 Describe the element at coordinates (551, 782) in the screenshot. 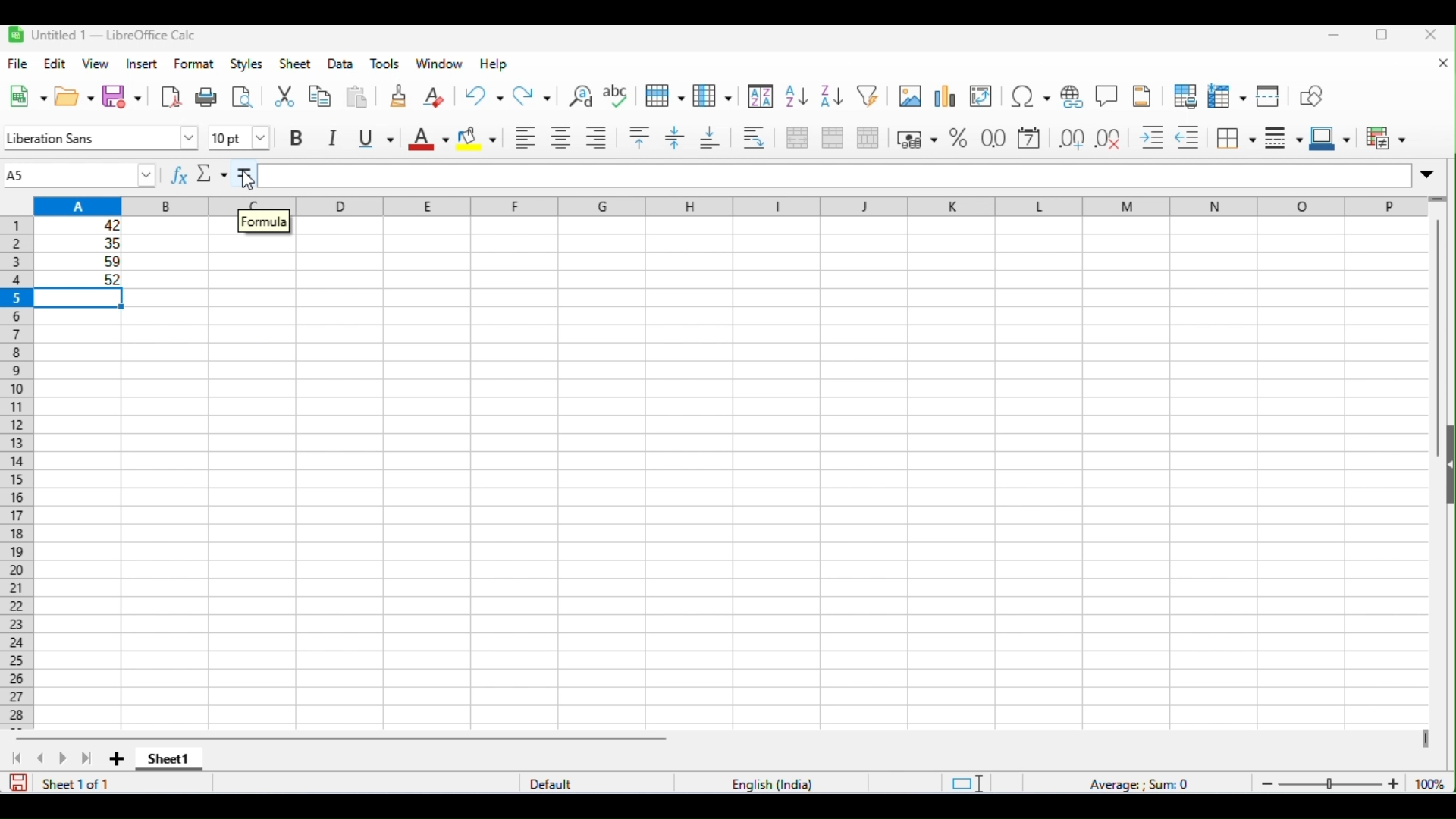

I see `default` at that location.